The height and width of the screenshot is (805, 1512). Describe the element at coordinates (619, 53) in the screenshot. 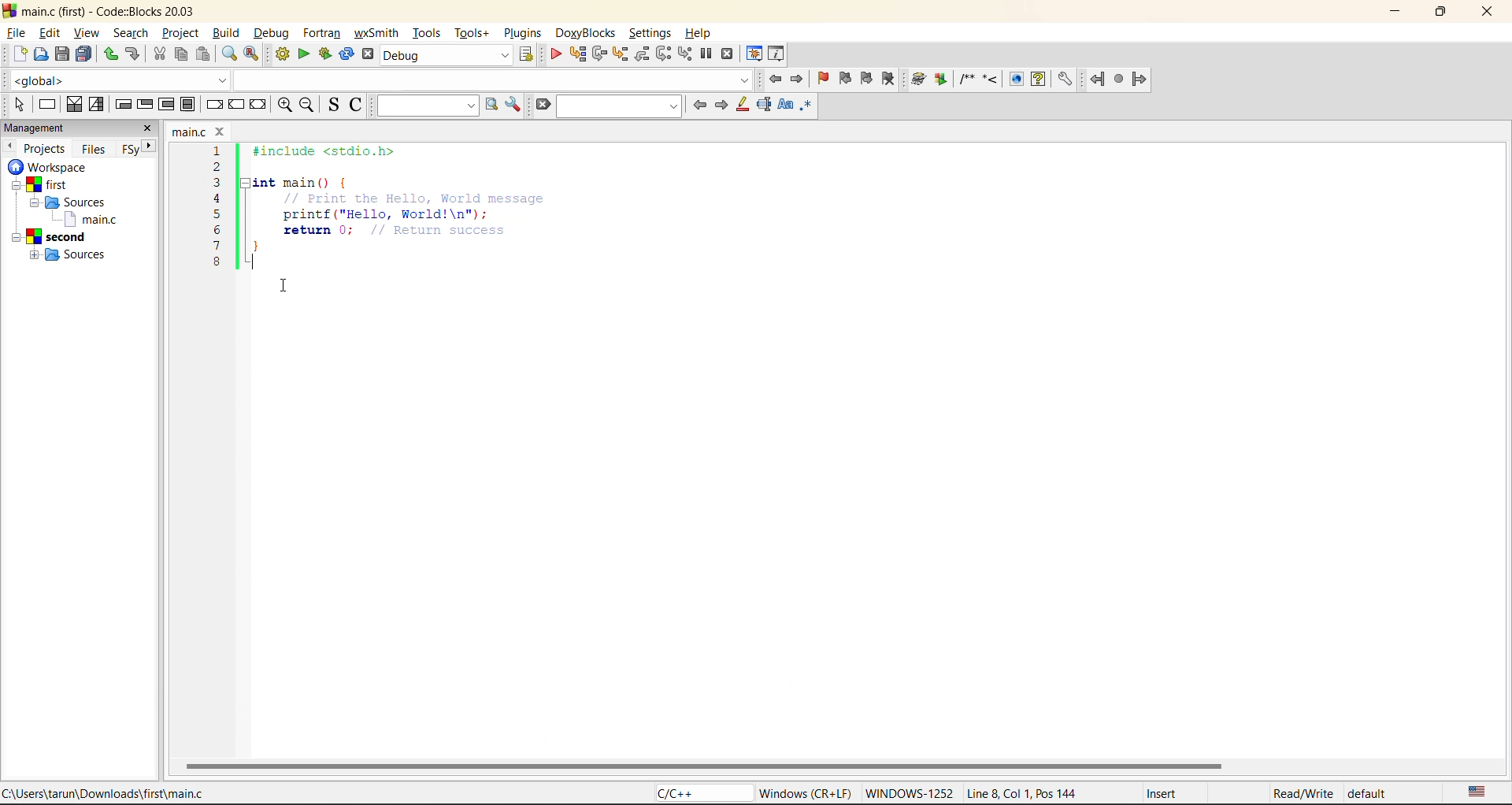

I see `step into` at that location.